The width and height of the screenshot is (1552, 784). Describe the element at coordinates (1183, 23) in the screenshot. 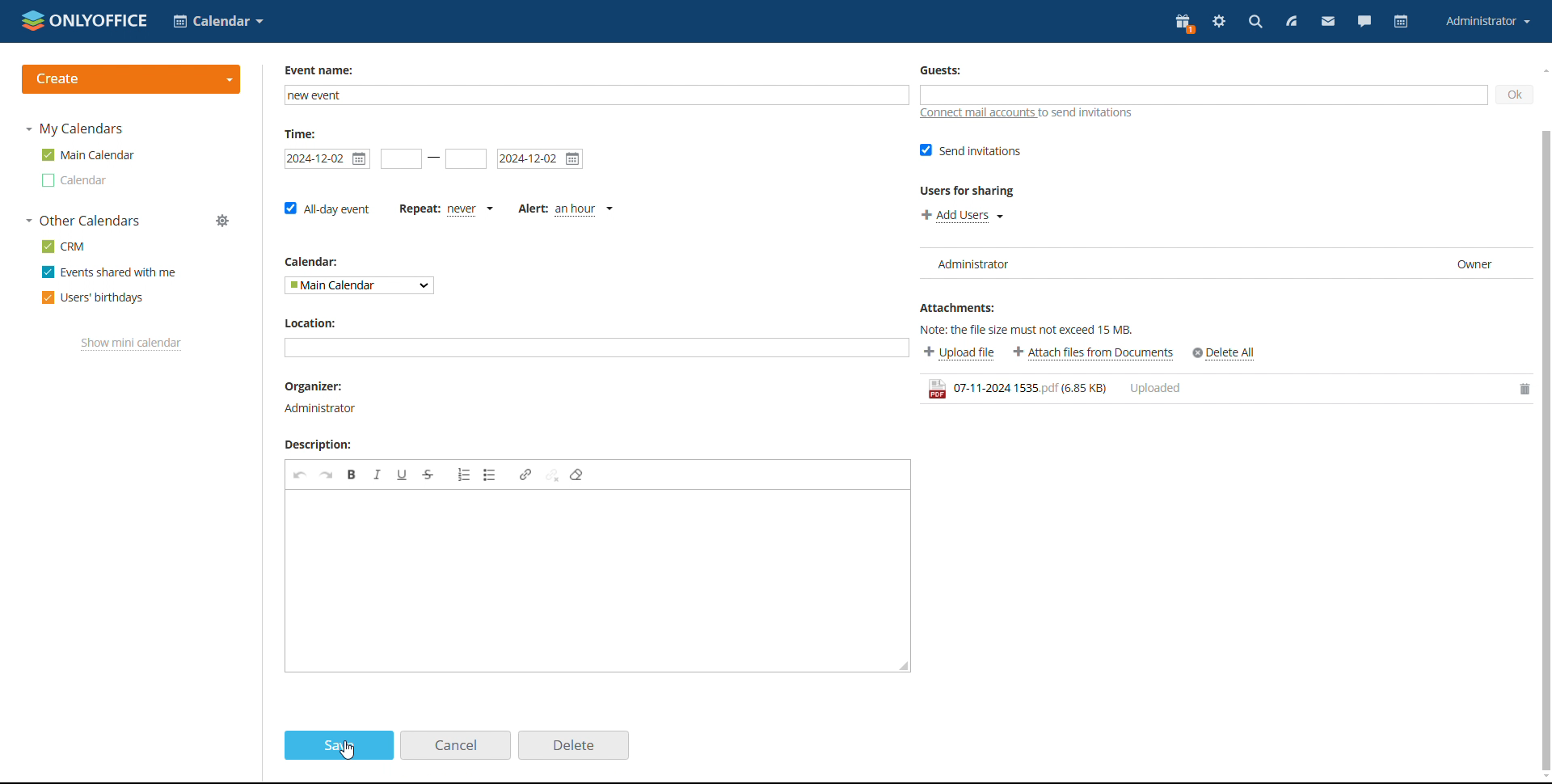

I see `present` at that location.